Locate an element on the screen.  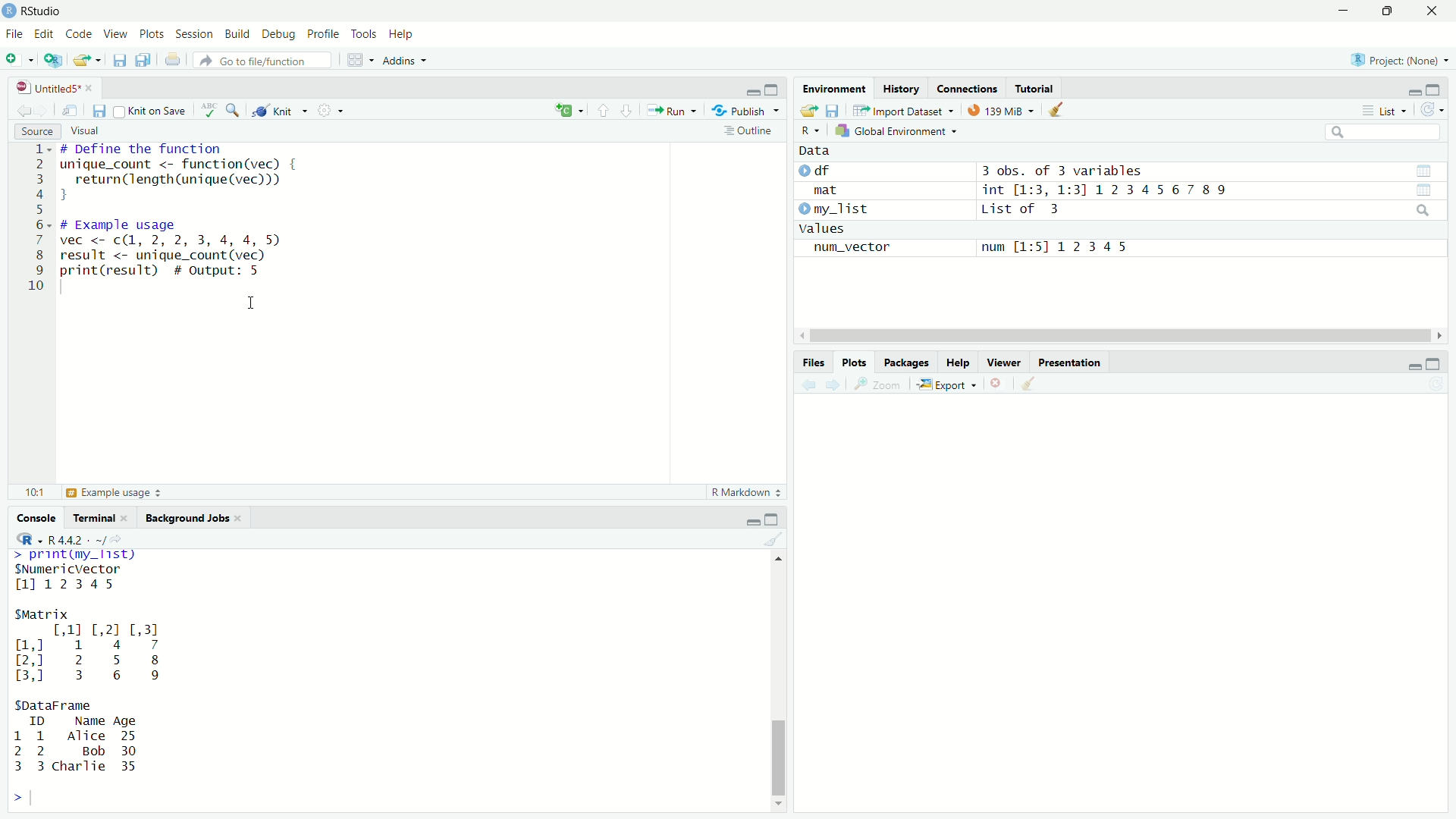
Code is located at coordinates (80, 35).